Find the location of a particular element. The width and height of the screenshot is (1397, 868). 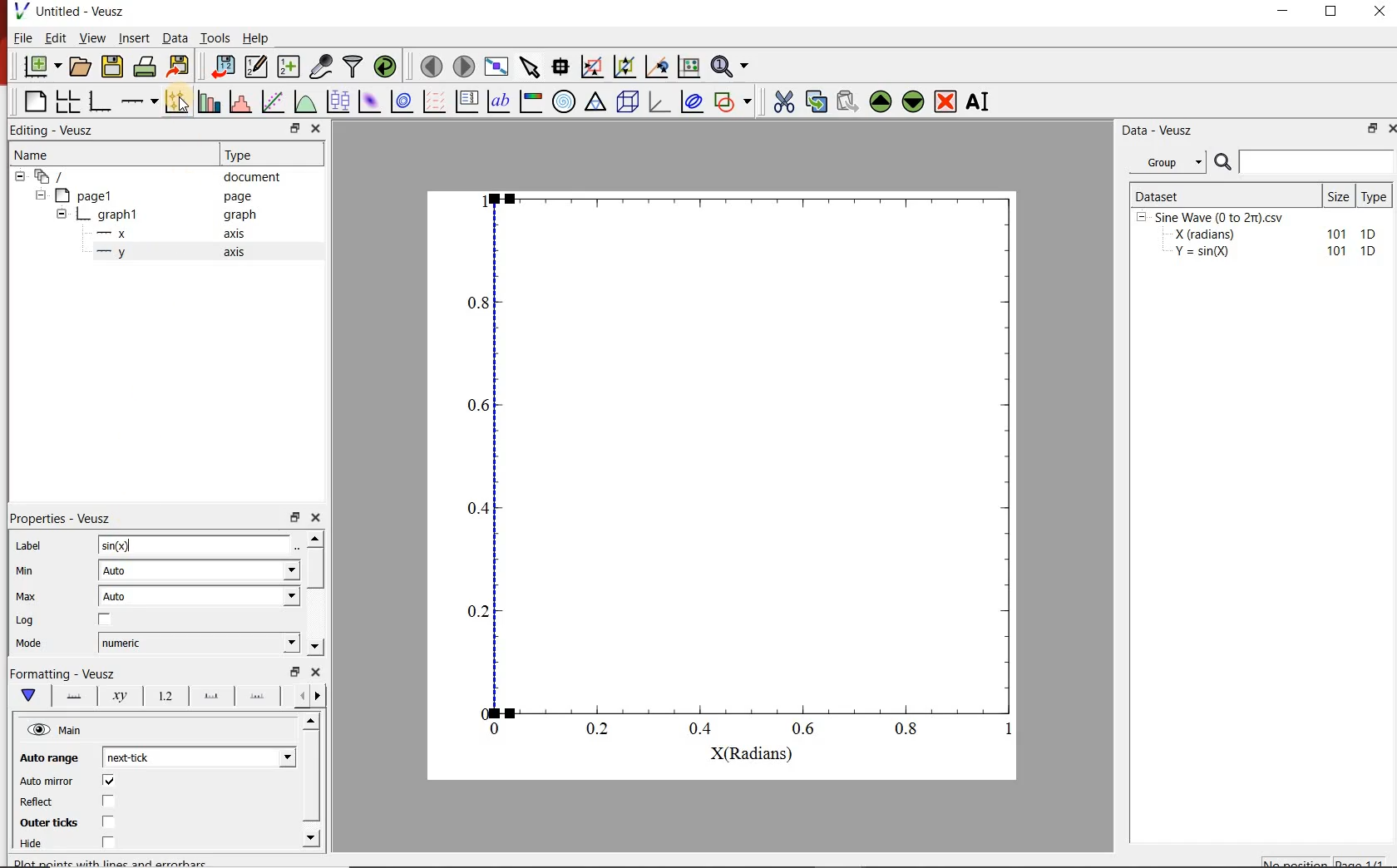

View is located at coordinates (93, 37).